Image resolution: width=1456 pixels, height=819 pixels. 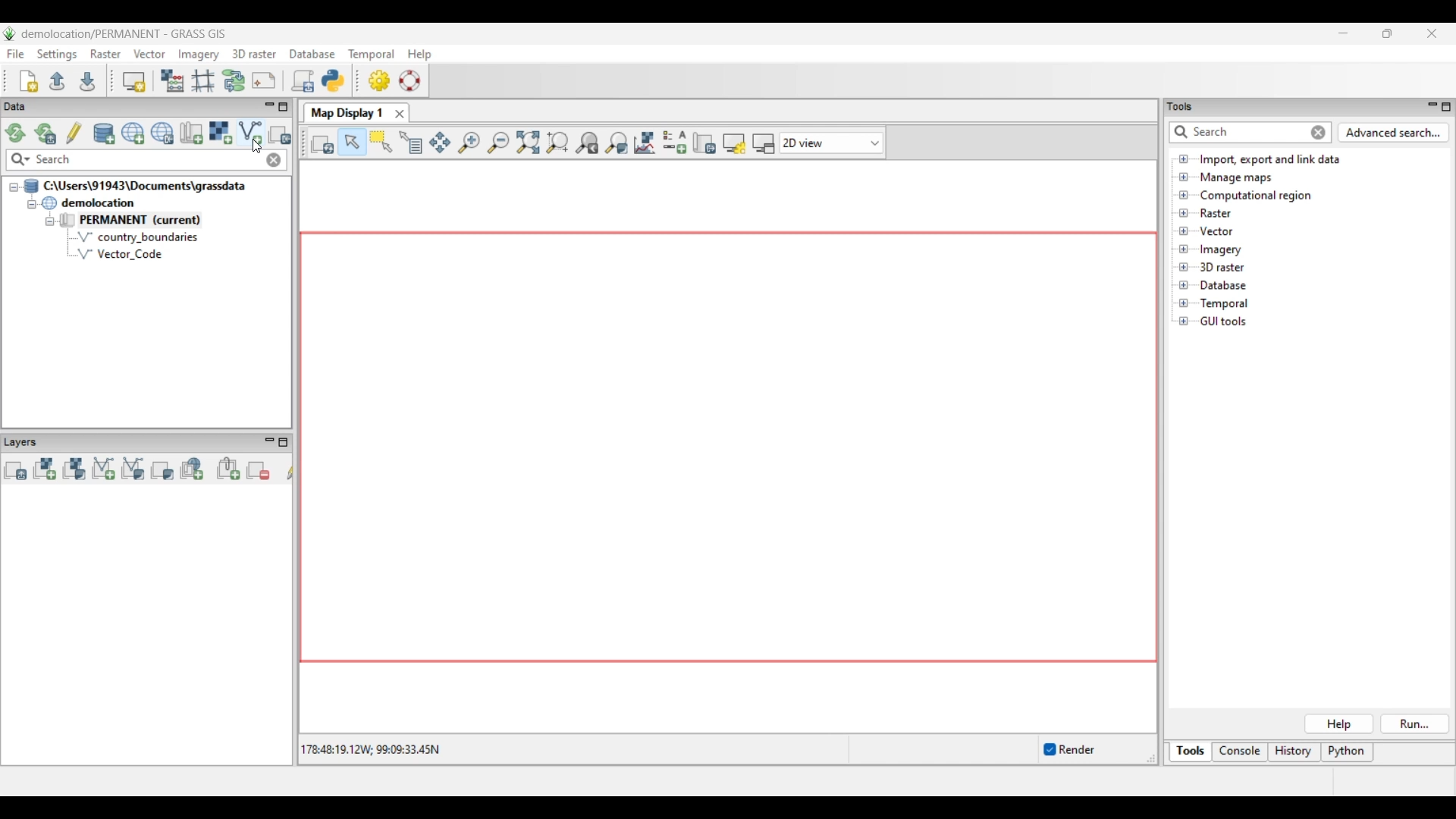 What do you see at coordinates (284, 442) in the screenshot?
I see `Maximize Layers panel` at bounding box center [284, 442].